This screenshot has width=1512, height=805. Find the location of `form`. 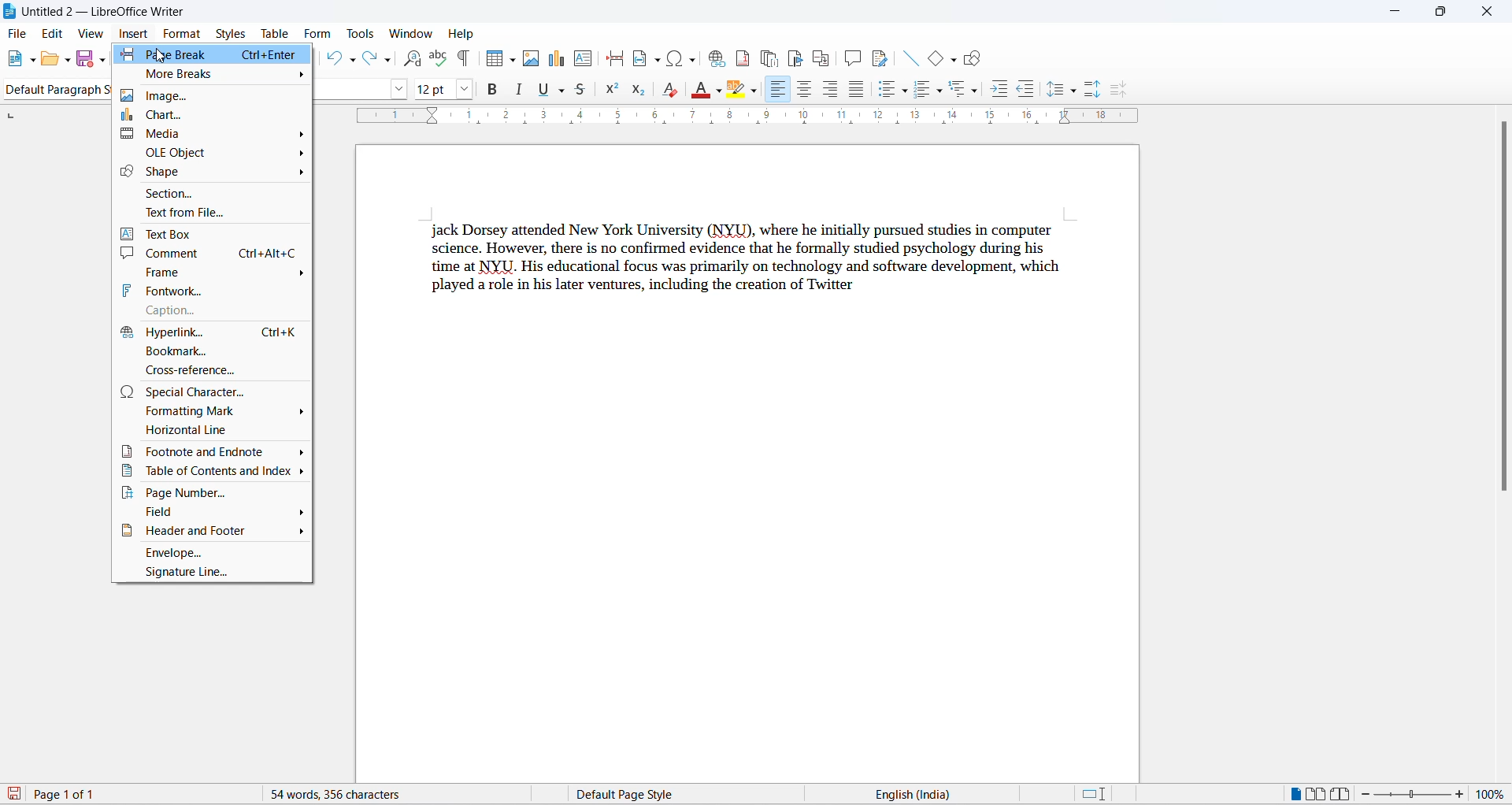

form is located at coordinates (319, 33).